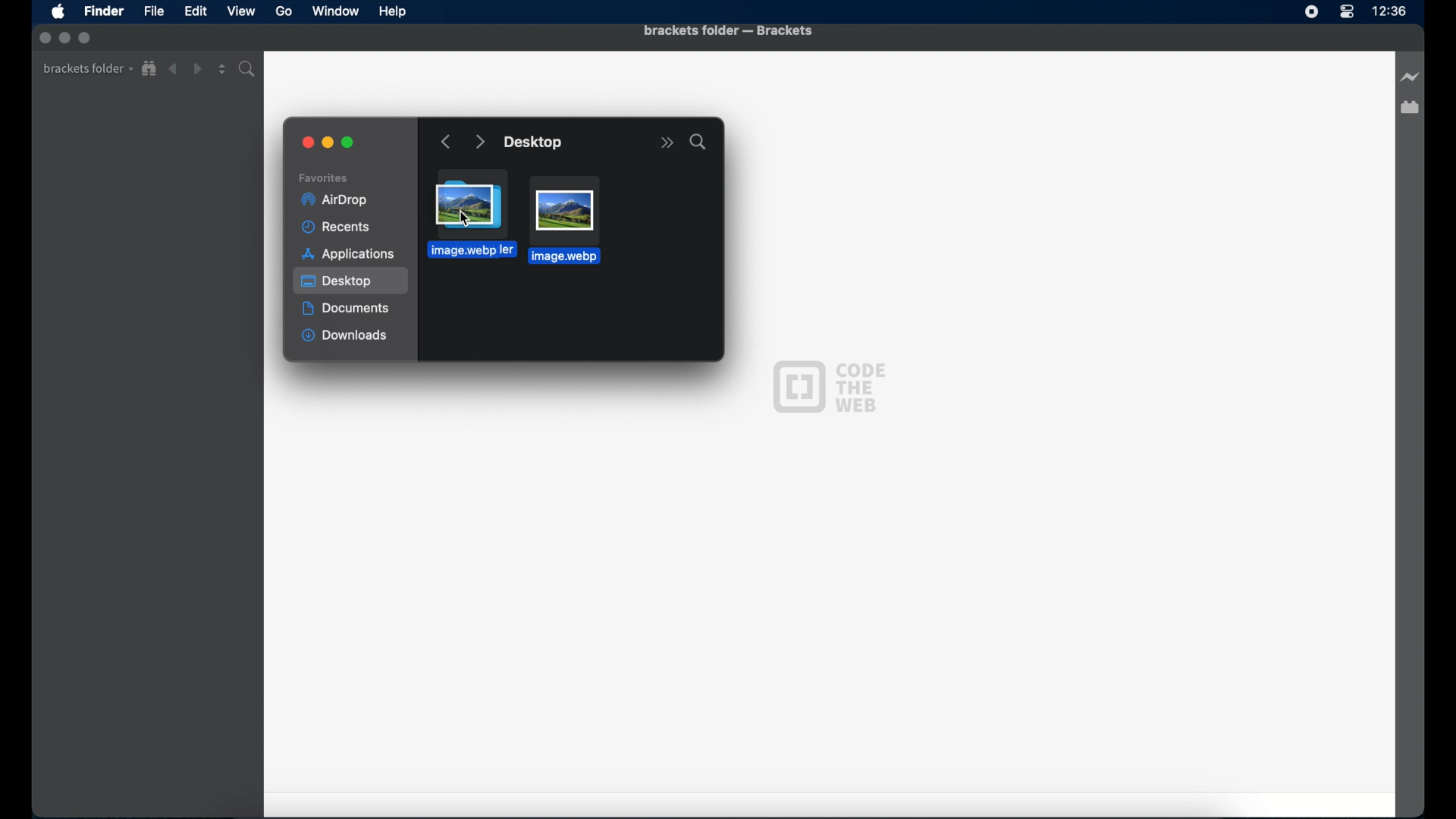 The height and width of the screenshot is (819, 1456). Describe the element at coordinates (154, 11) in the screenshot. I see `File` at that location.